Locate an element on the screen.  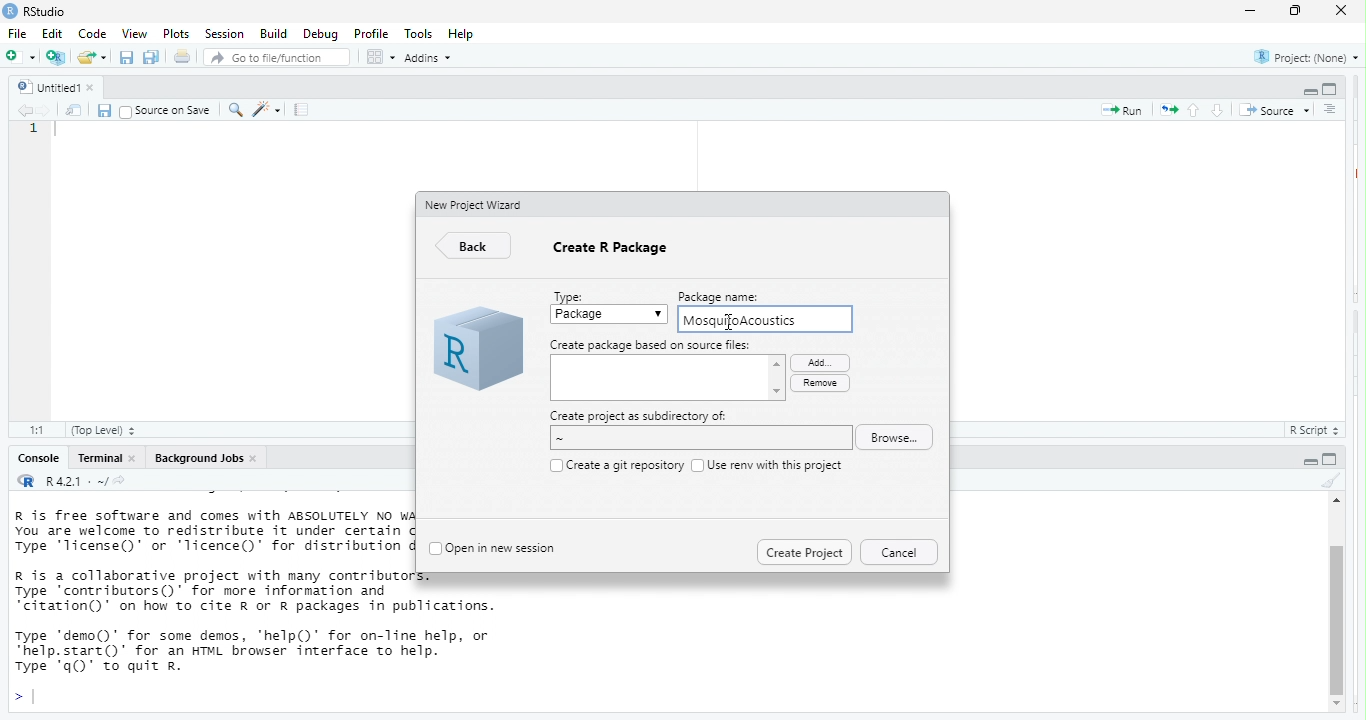
 Go to fie/function is located at coordinates (277, 58).